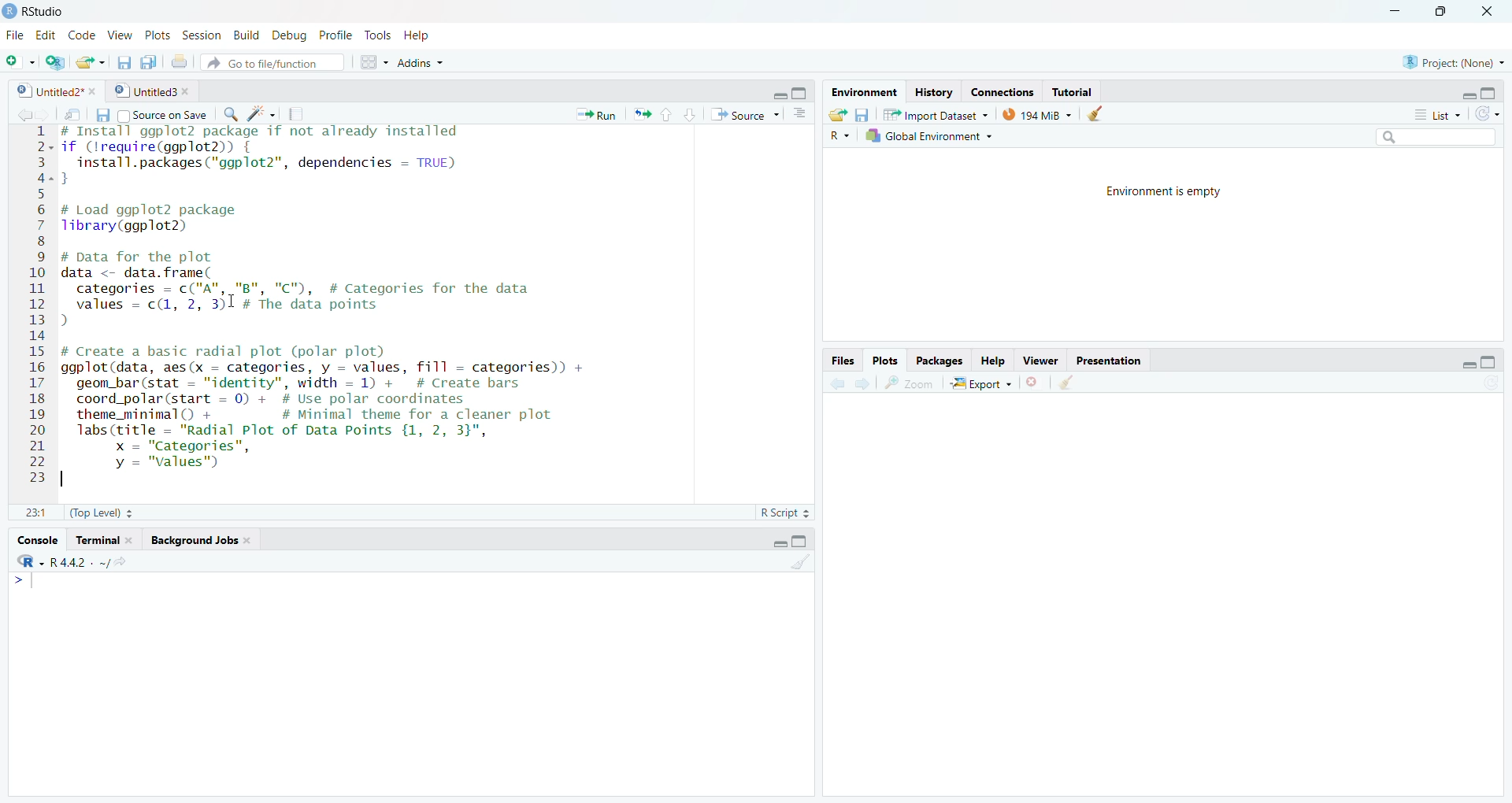 This screenshot has width=1512, height=803. I want to click on Untitled2, so click(60, 92).